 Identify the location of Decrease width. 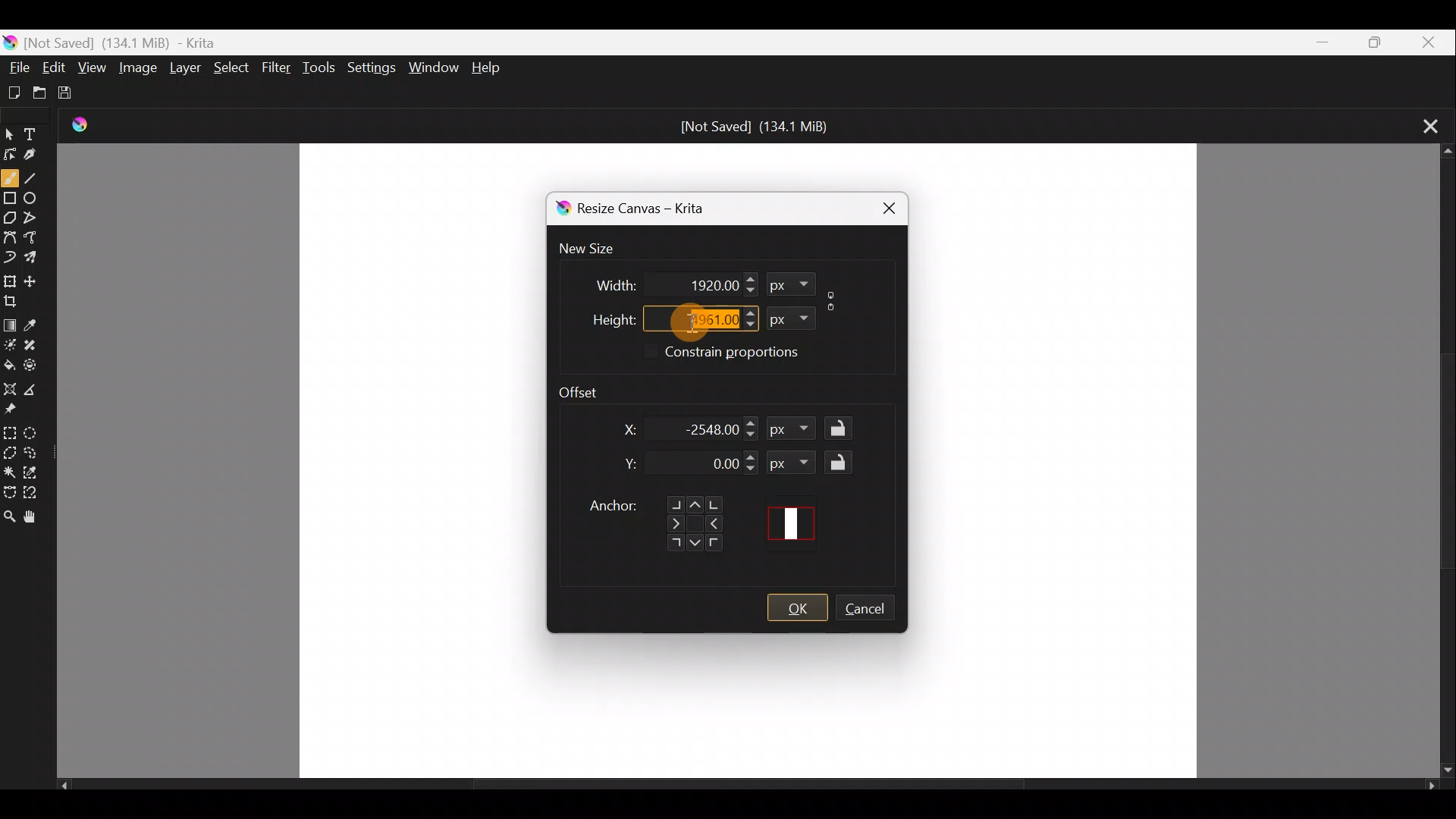
(749, 290).